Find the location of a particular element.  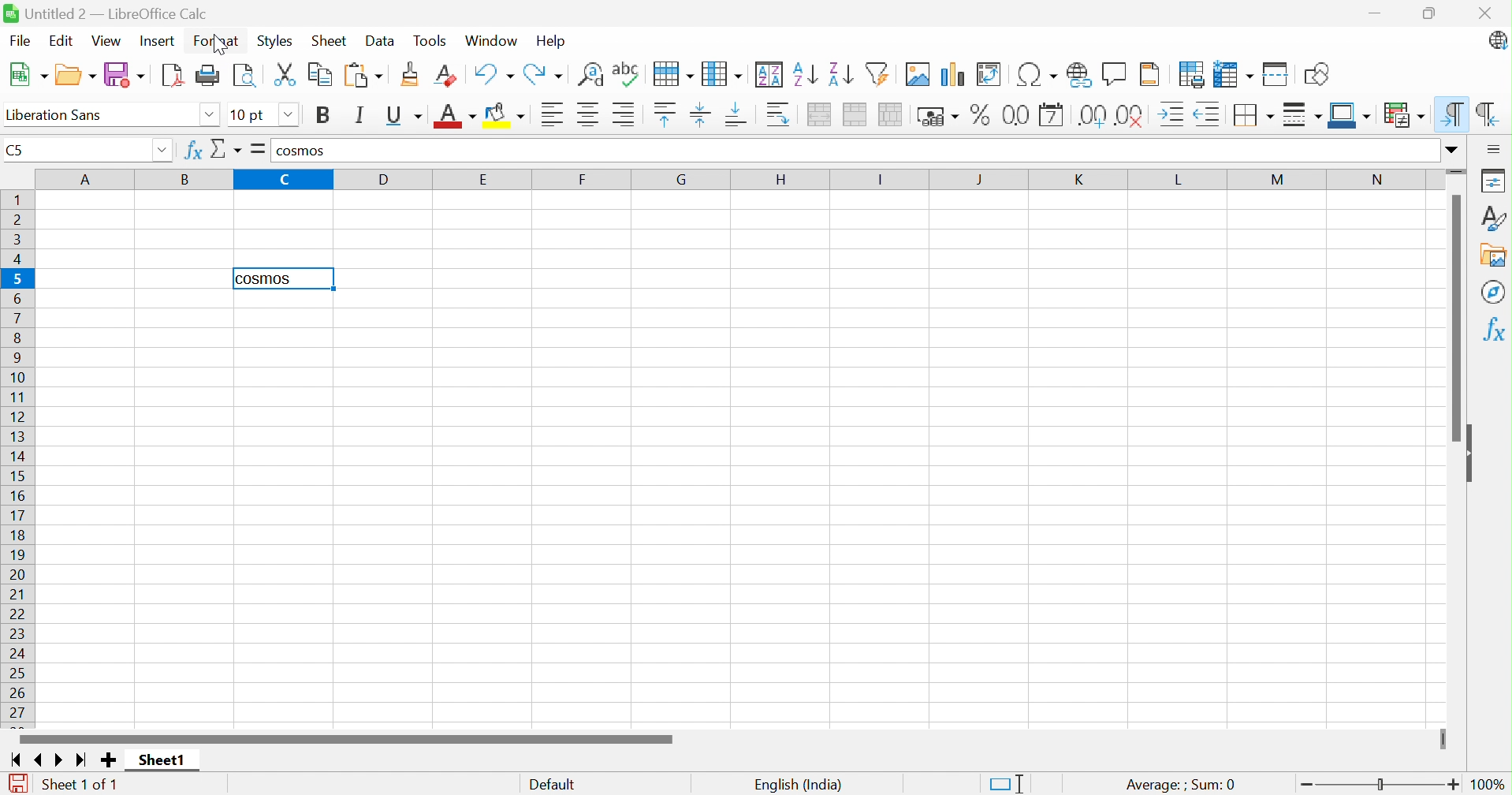

Redo is located at coordinates (543, 76).